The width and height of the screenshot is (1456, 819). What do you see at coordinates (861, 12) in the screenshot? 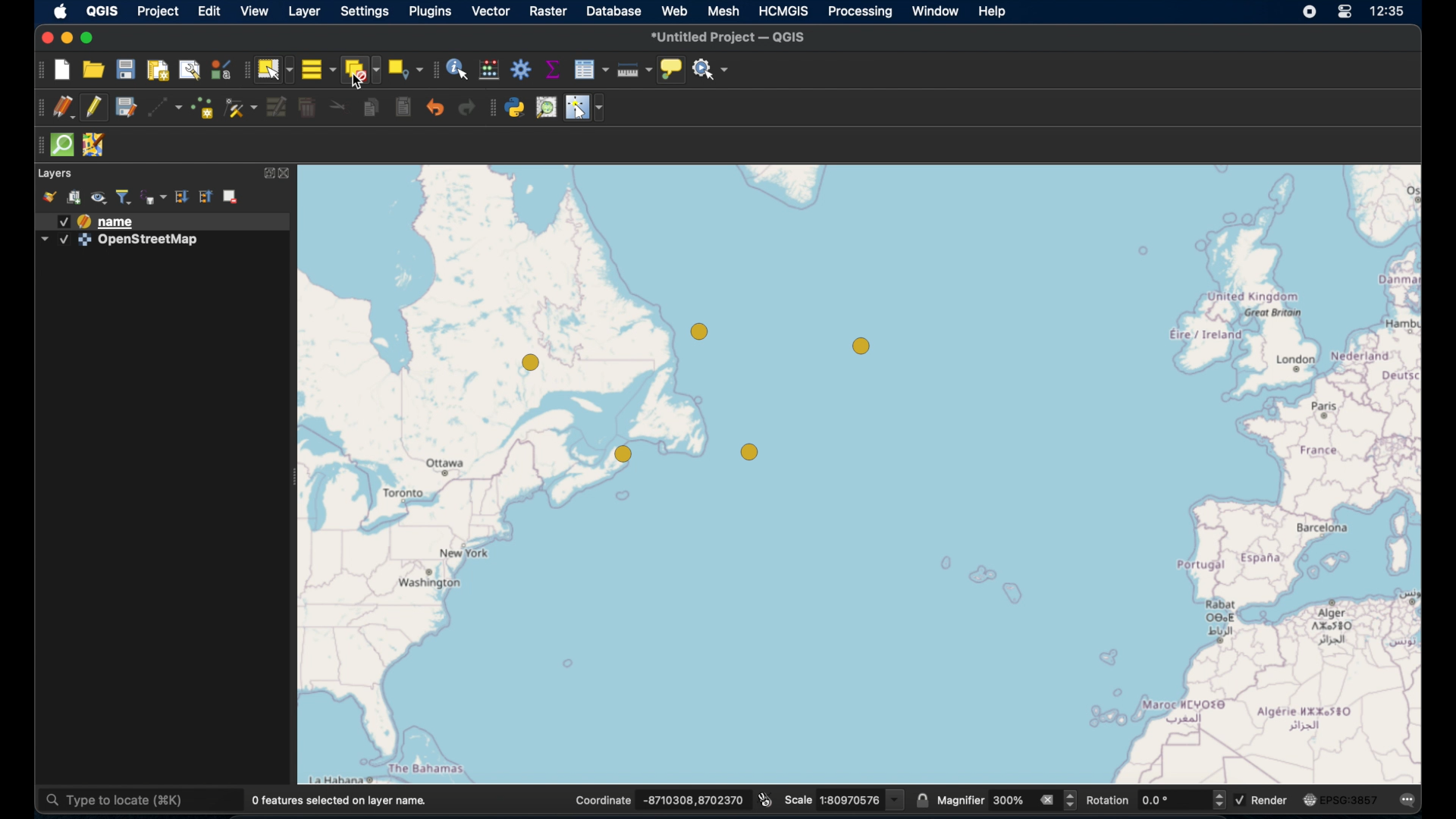
I see `processing` at bounding box center [861, 12].